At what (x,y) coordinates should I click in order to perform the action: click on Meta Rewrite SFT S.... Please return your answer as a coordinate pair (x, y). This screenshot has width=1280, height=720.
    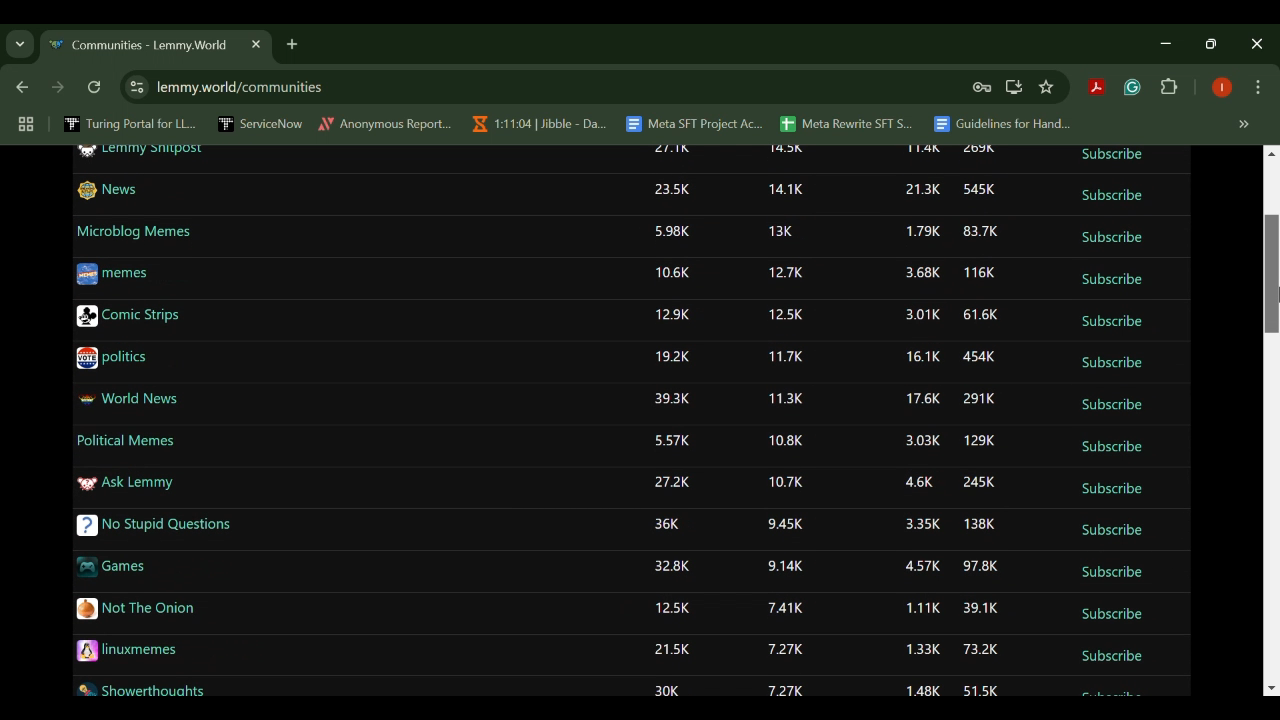
    Looking at the image, I should click on (847, 125).